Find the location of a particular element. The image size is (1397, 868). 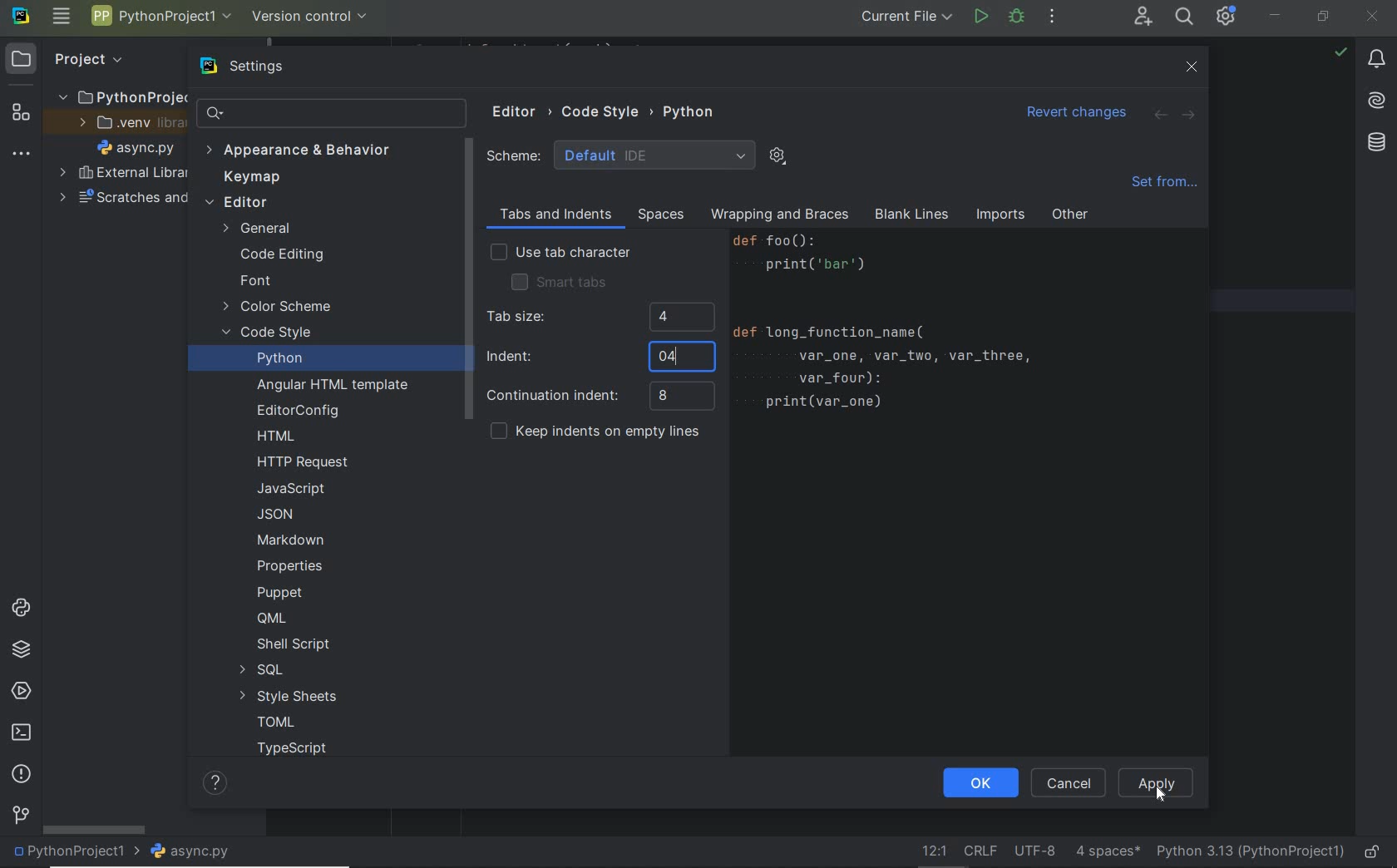

go to line is located at coordinates (935, 850).